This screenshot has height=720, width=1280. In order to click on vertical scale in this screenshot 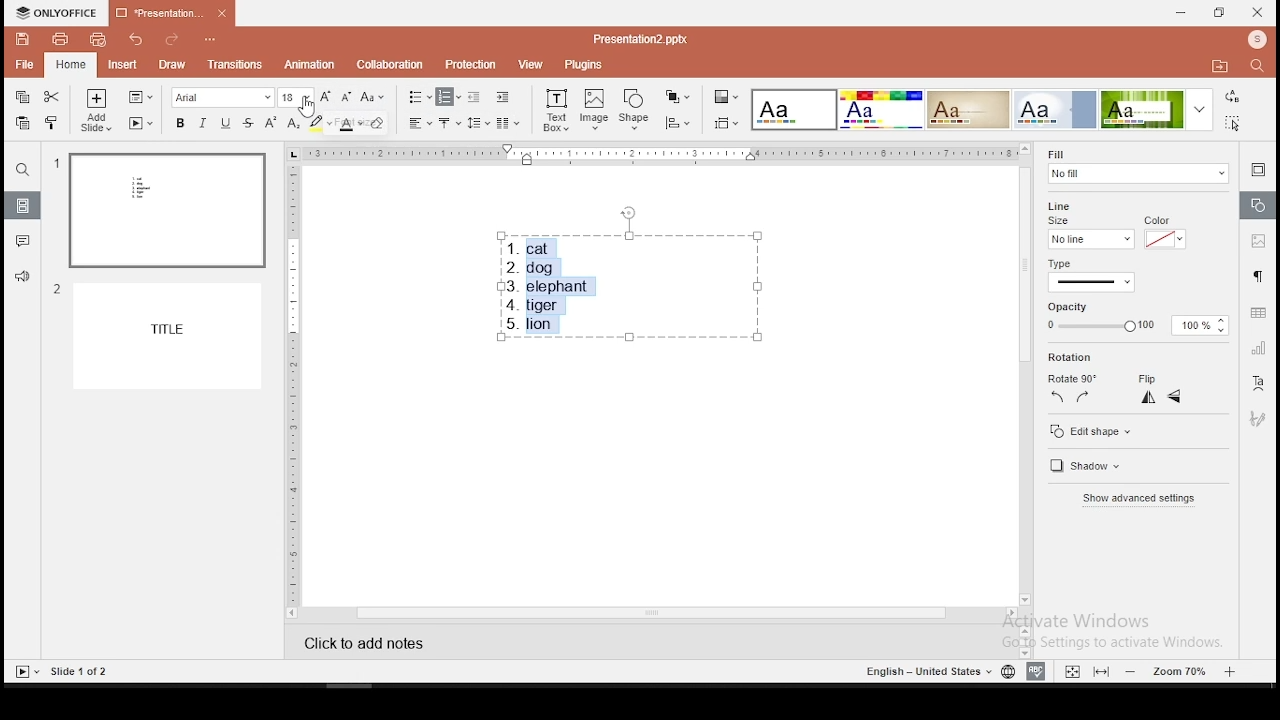, I will do `click(293, 383)`.